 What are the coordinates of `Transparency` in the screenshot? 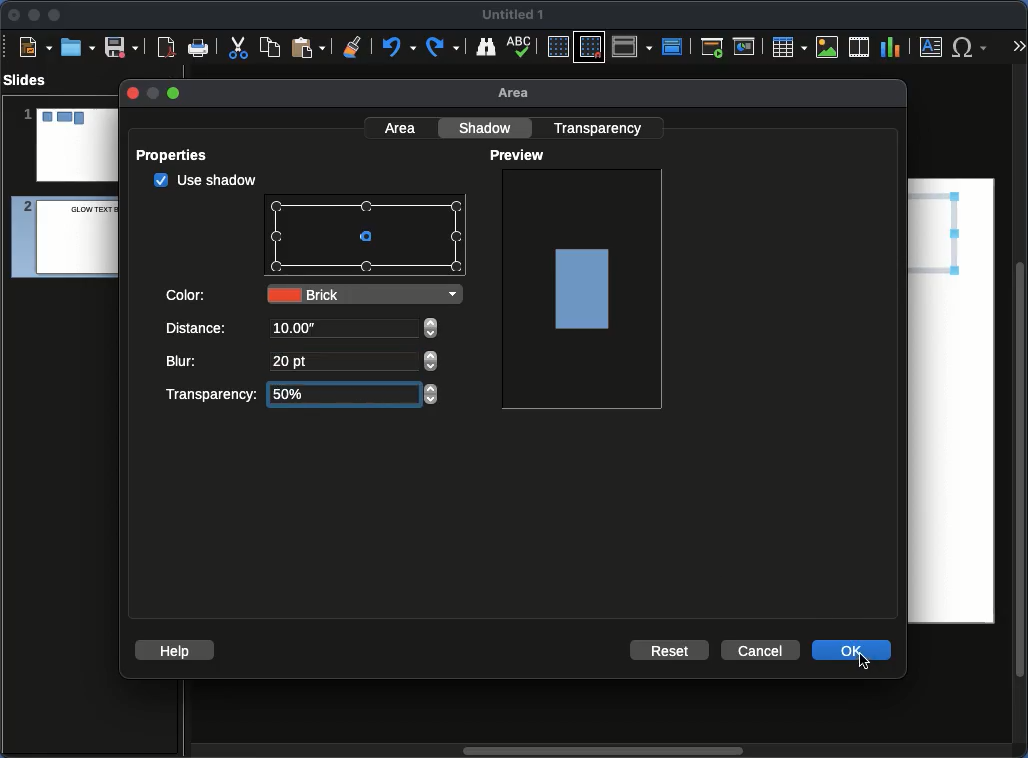 It's located at (210, 393).